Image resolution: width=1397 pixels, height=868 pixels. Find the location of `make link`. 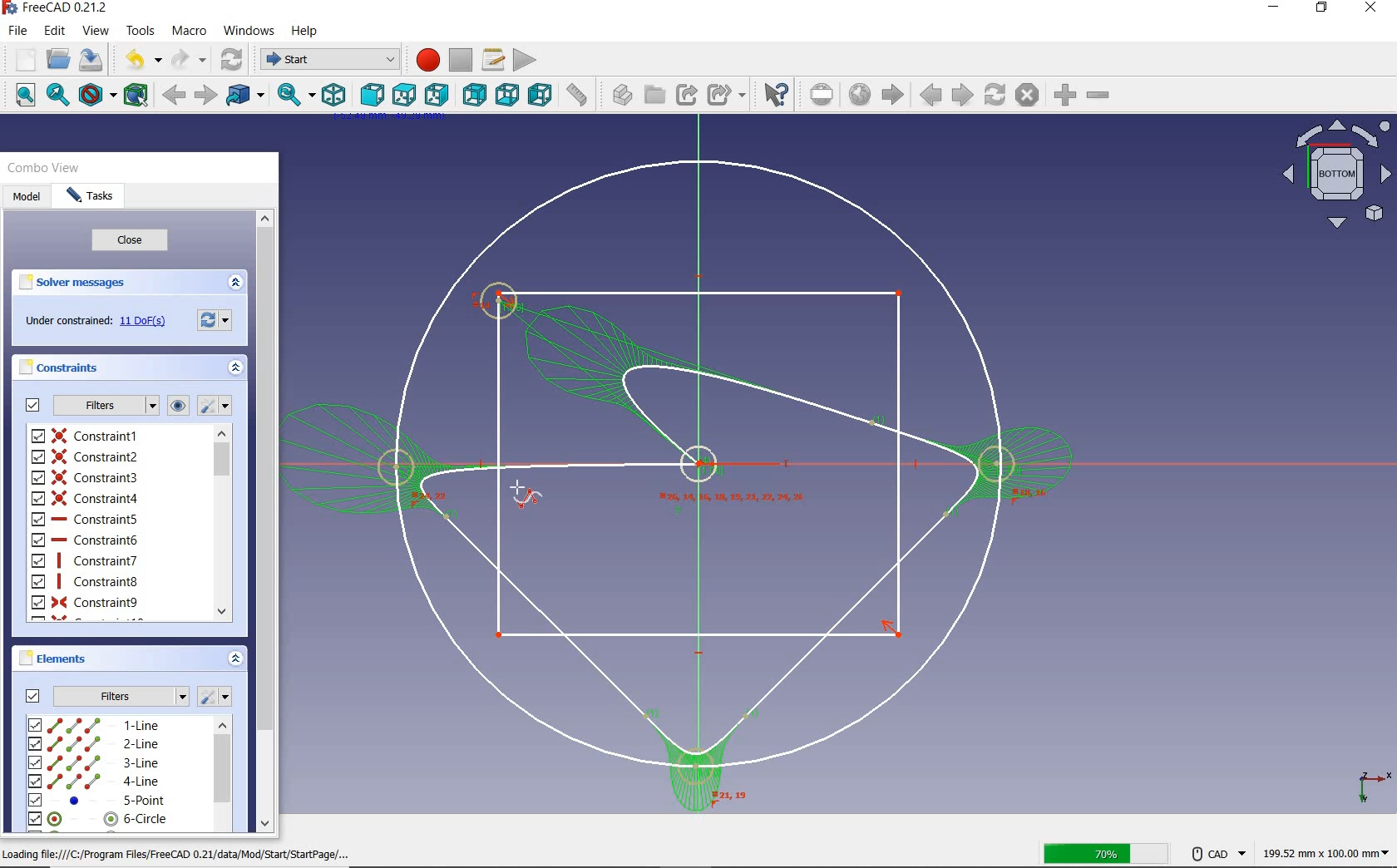

make link is located at coordinates (686, 94).